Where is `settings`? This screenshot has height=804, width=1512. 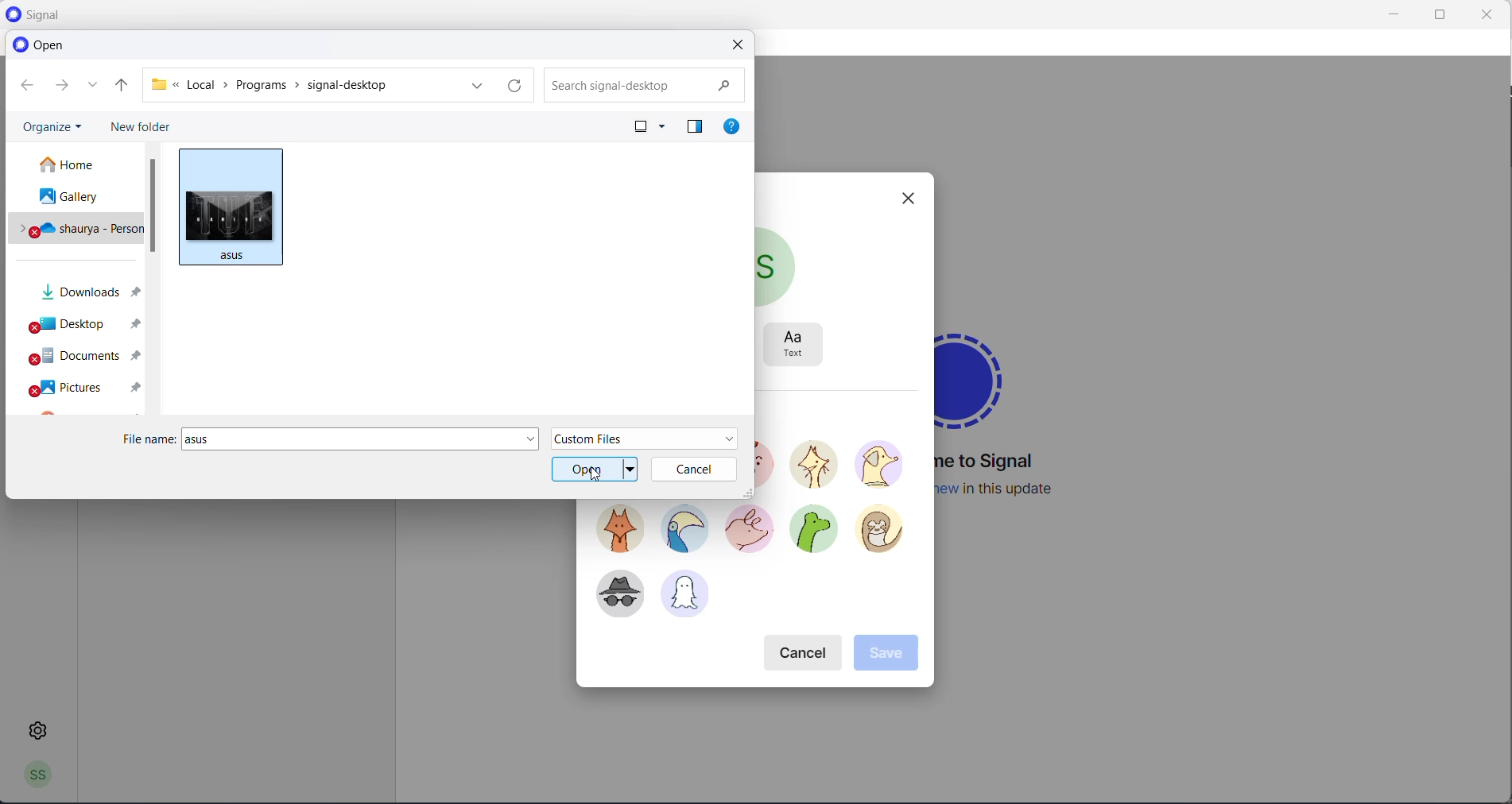 settings is located at coordinates (41, 729).